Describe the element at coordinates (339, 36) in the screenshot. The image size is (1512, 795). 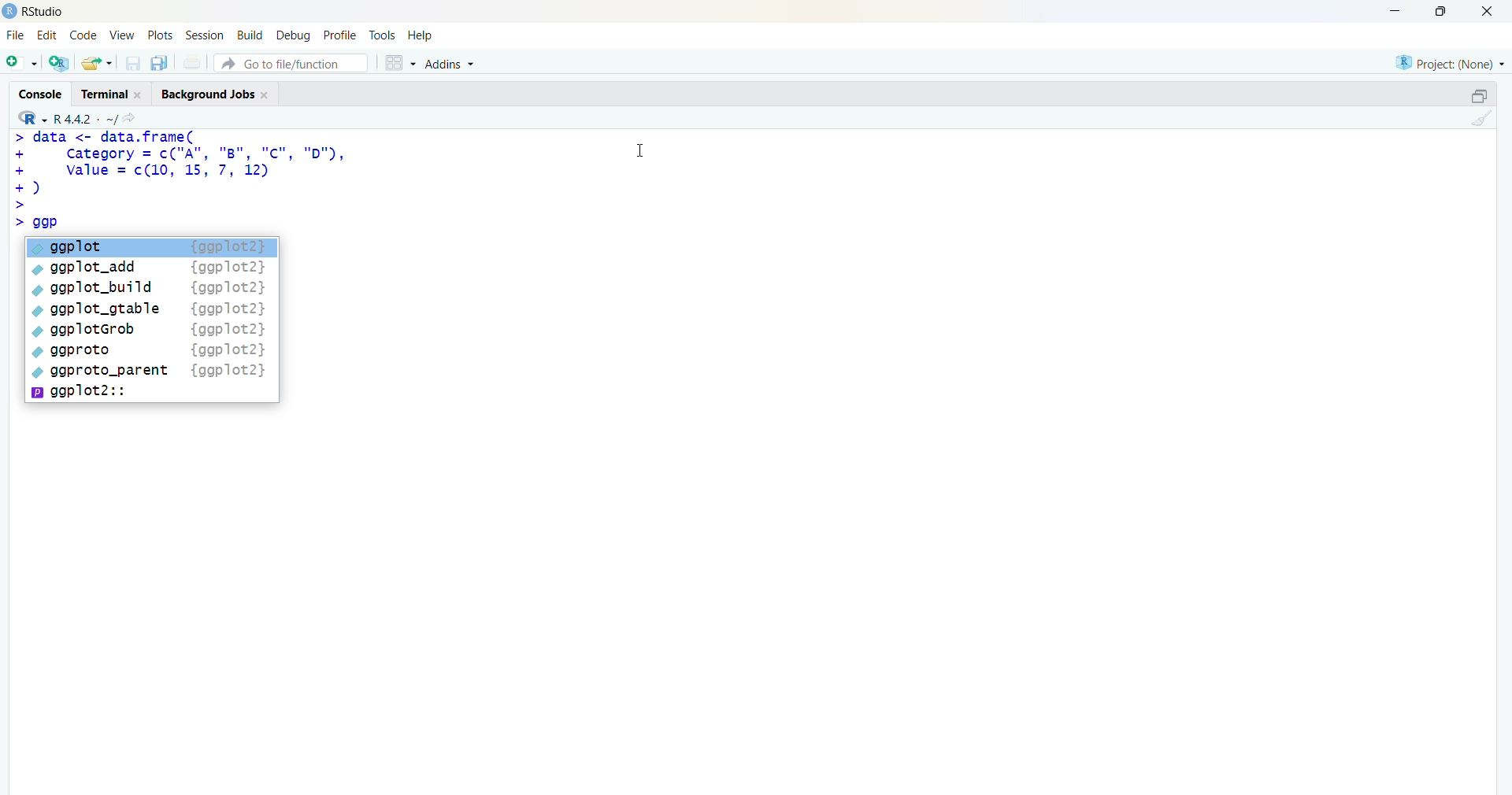
I see `profile` at that location.